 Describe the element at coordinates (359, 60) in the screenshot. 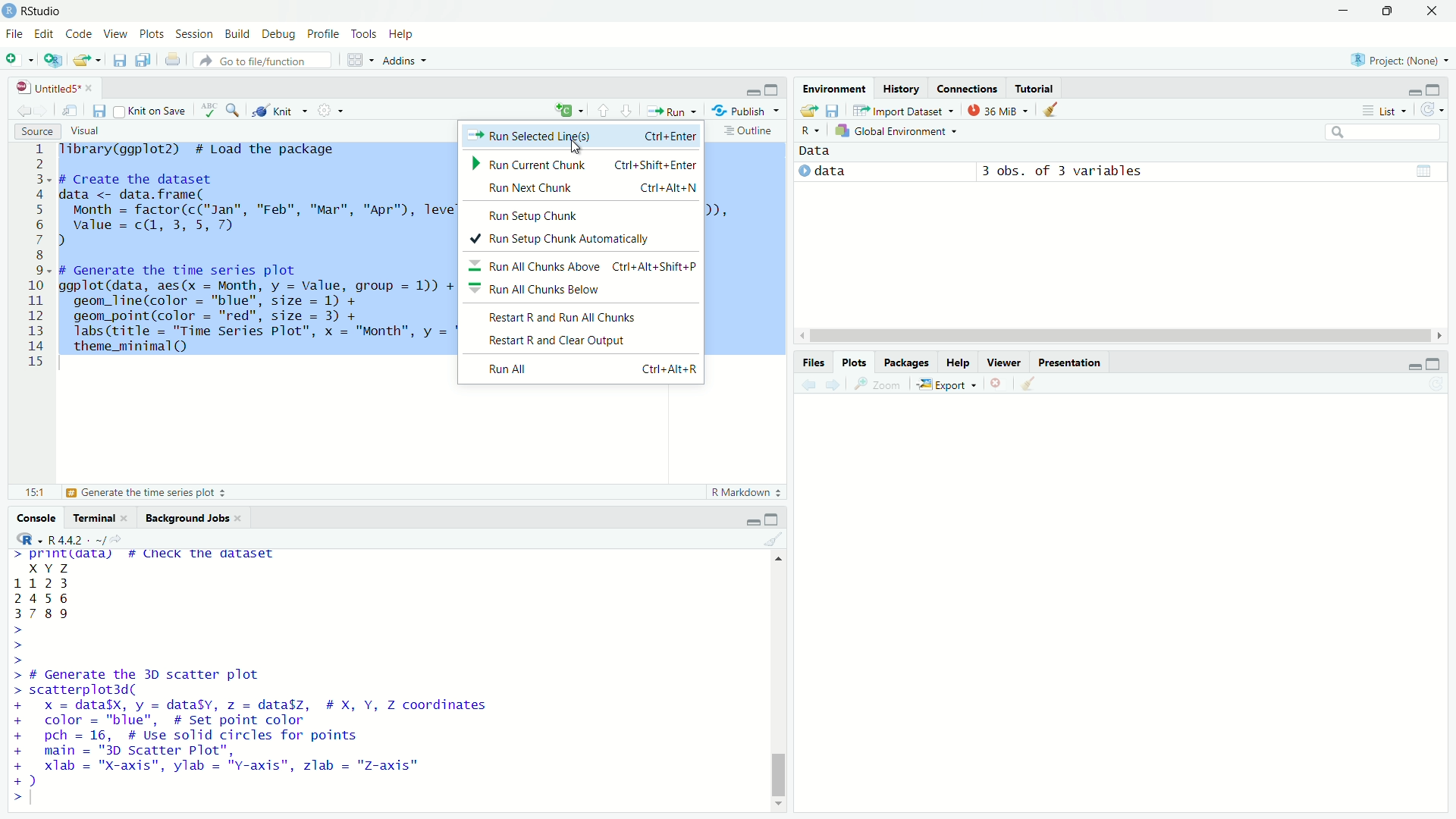

I see `workspace panes` at that location.